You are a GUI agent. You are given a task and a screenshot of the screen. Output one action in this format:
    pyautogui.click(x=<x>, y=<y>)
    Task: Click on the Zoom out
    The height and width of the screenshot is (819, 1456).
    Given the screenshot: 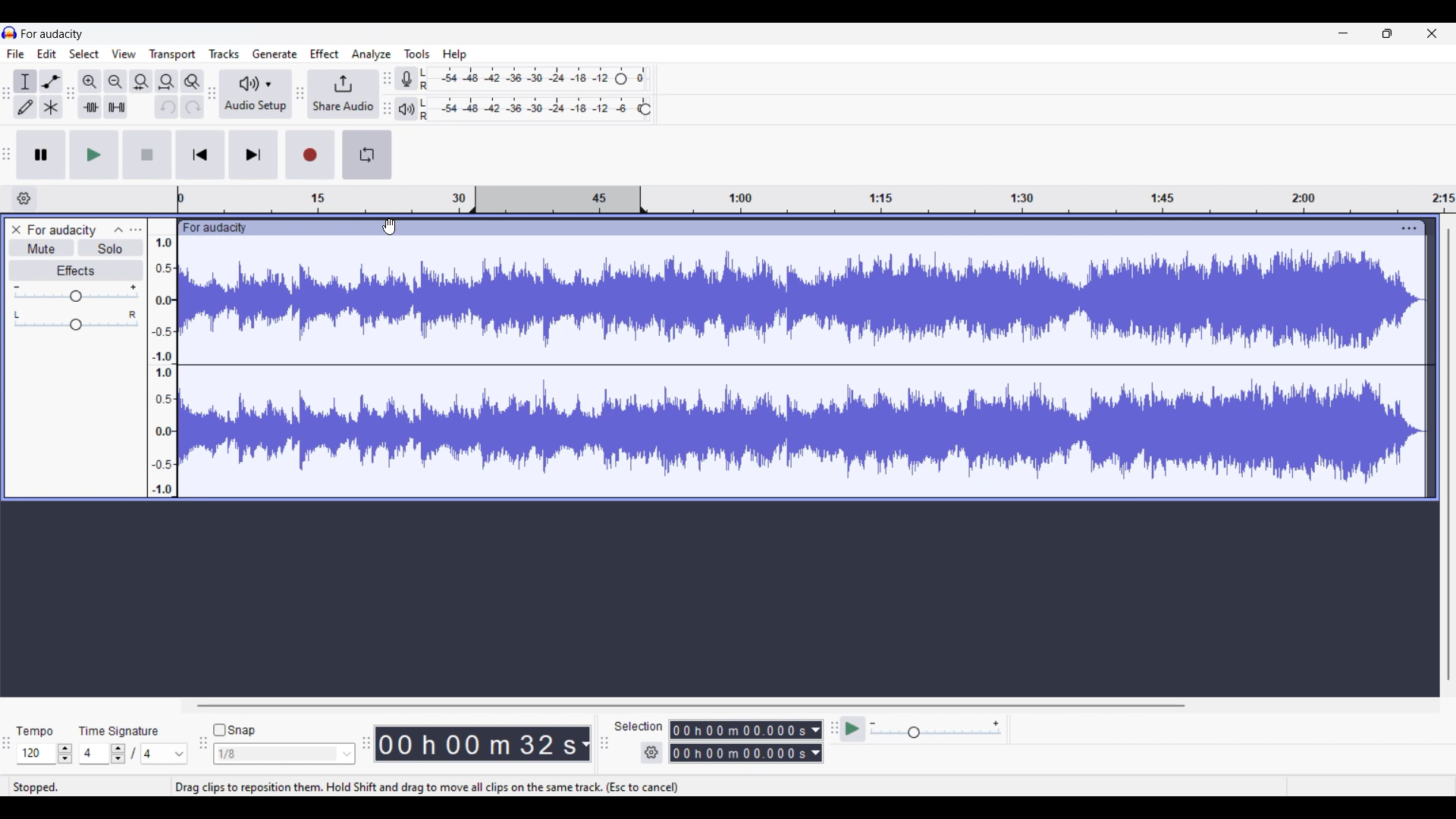 What is the action you would take?
    pyautogui.click(x=116, y=82)
    